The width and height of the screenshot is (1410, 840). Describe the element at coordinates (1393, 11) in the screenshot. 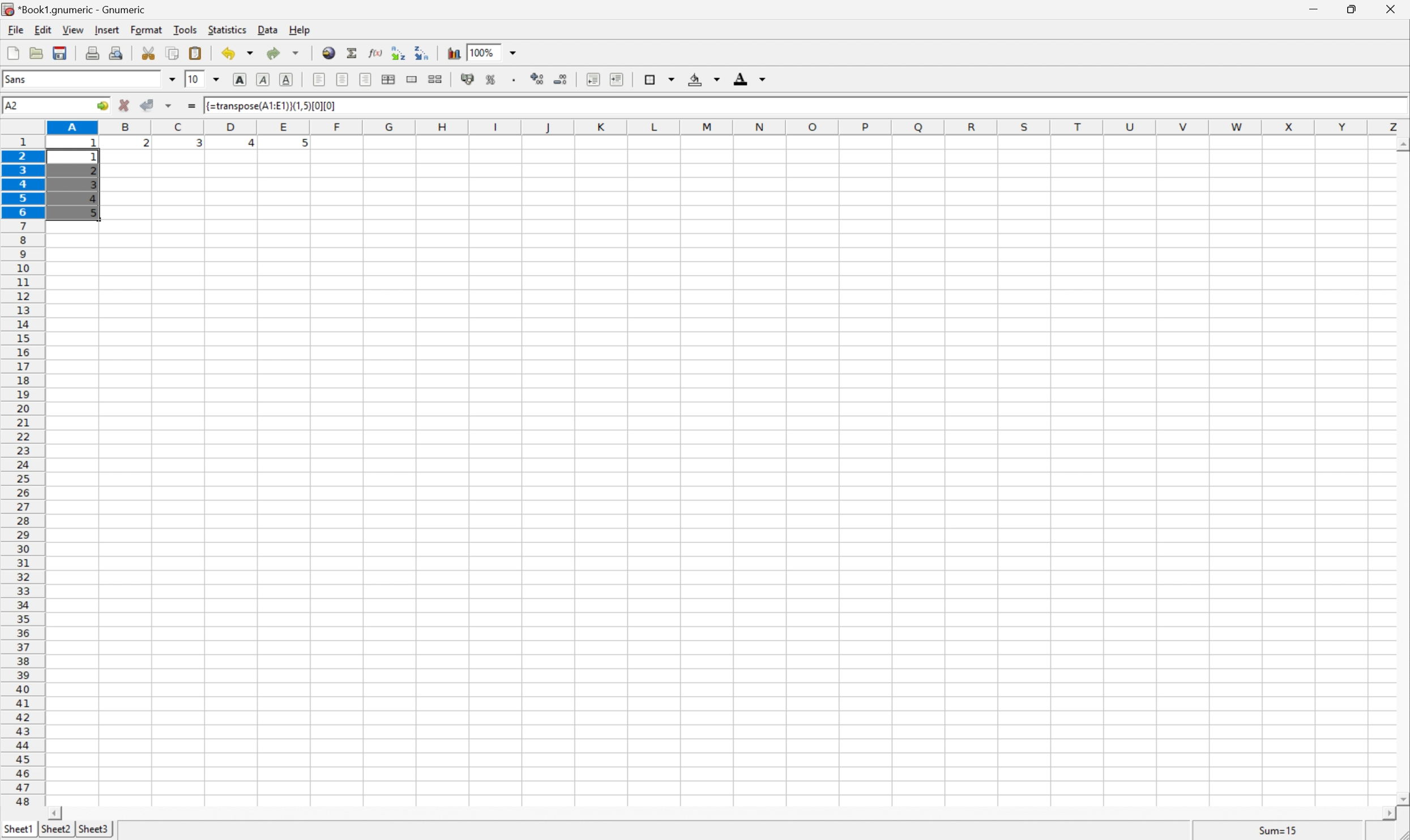

I see `close` at that location.